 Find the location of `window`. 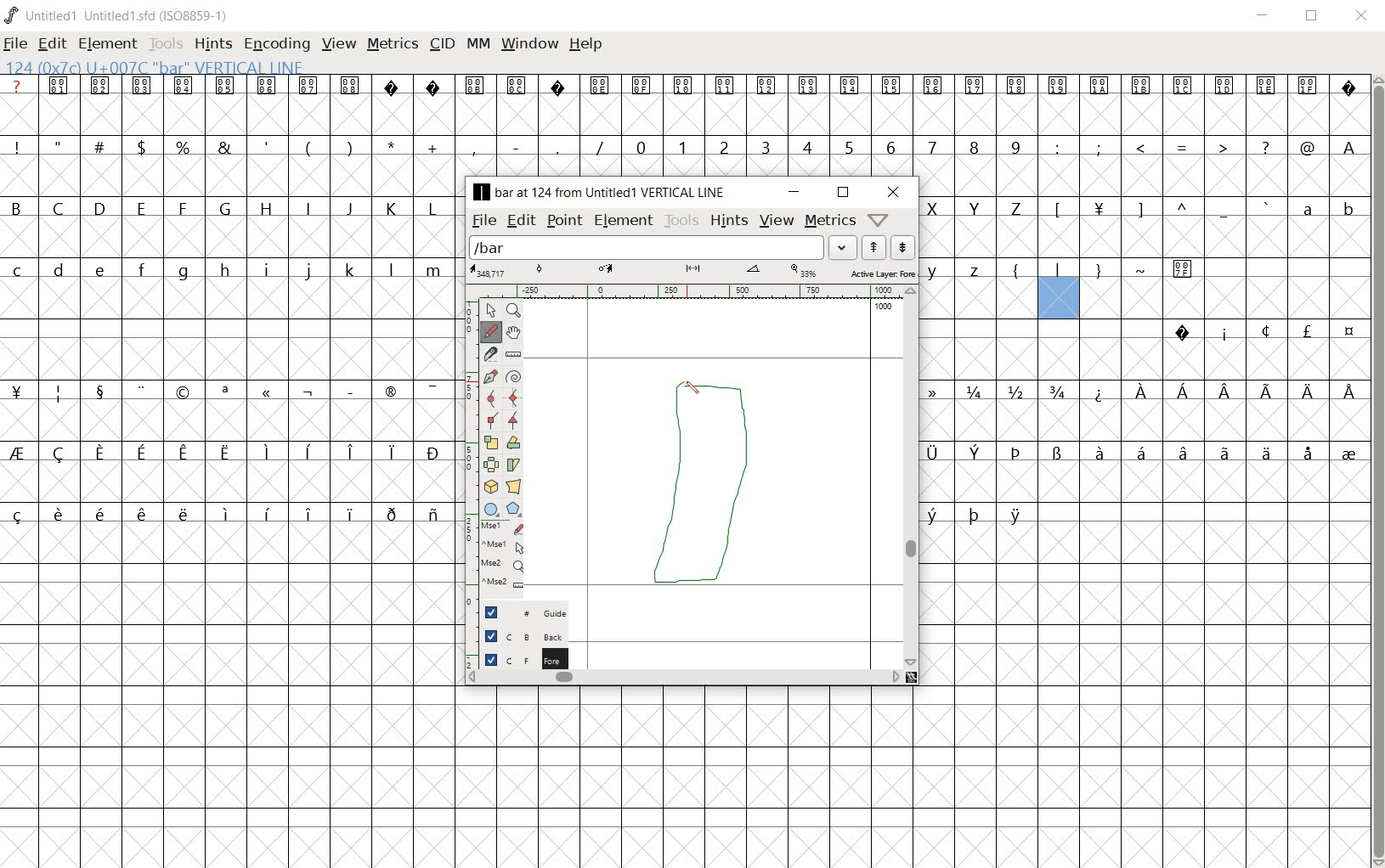

window is located at coordinates (531, 42).